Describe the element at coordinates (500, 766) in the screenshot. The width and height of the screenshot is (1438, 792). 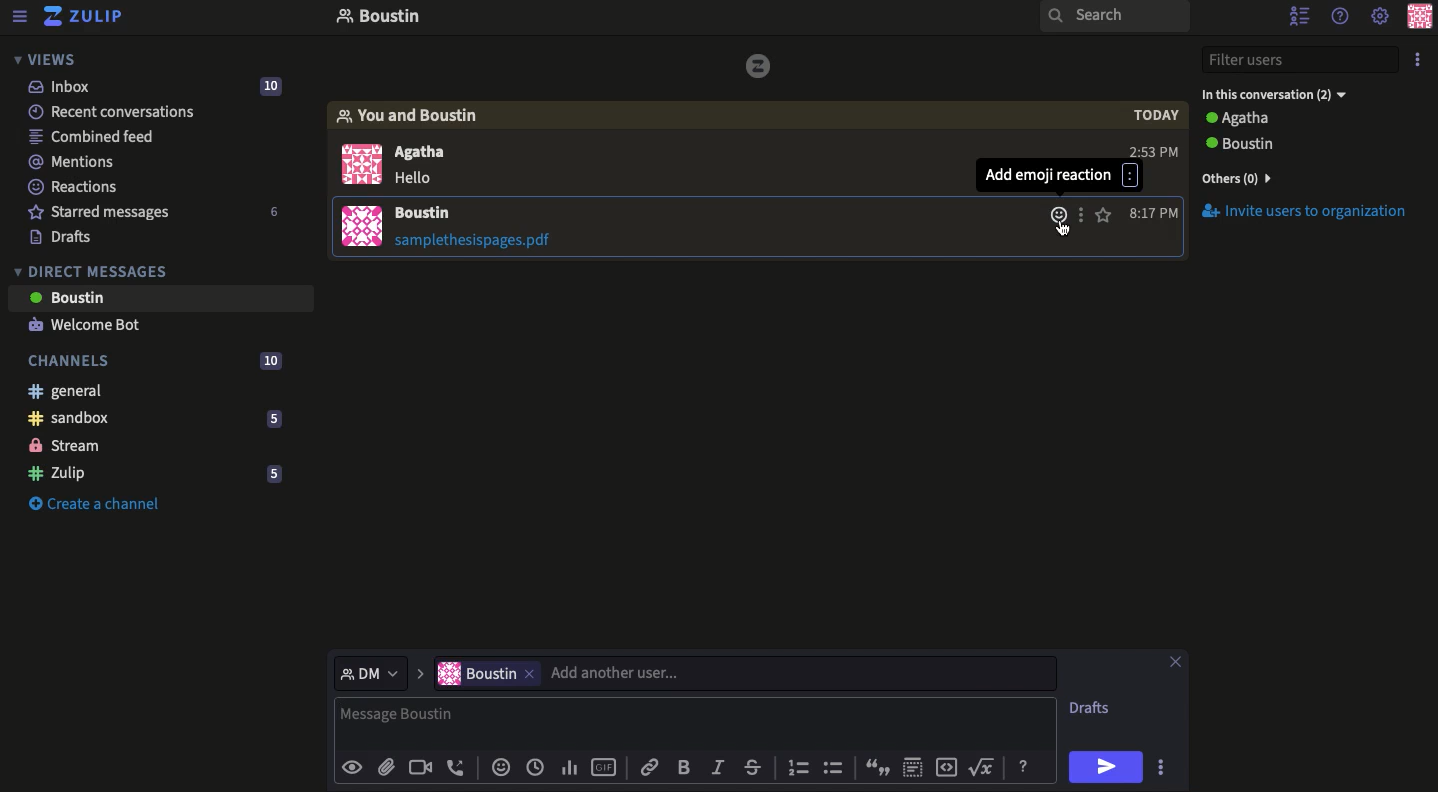
I see `Reaction` at that location.